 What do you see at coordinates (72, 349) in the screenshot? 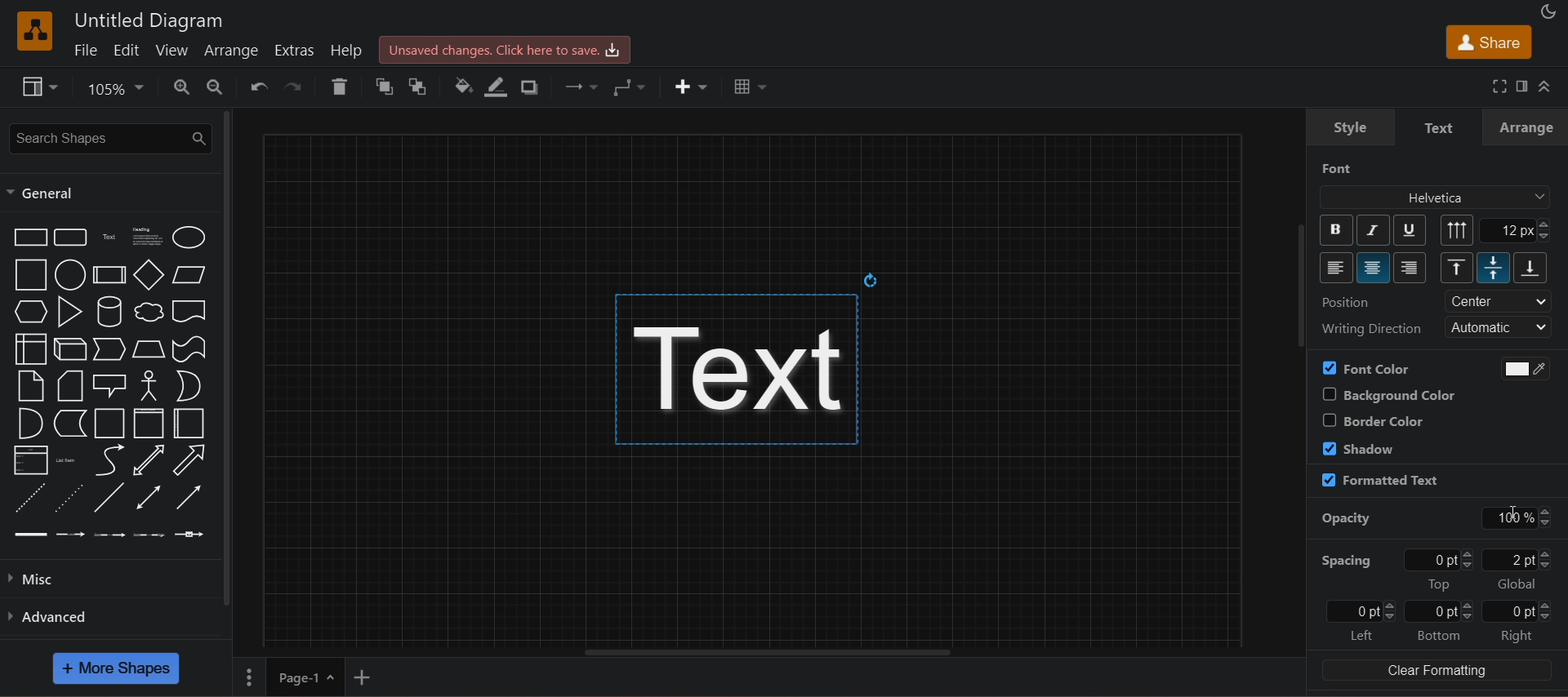
I see `cube` at bounding box center [72, 349].